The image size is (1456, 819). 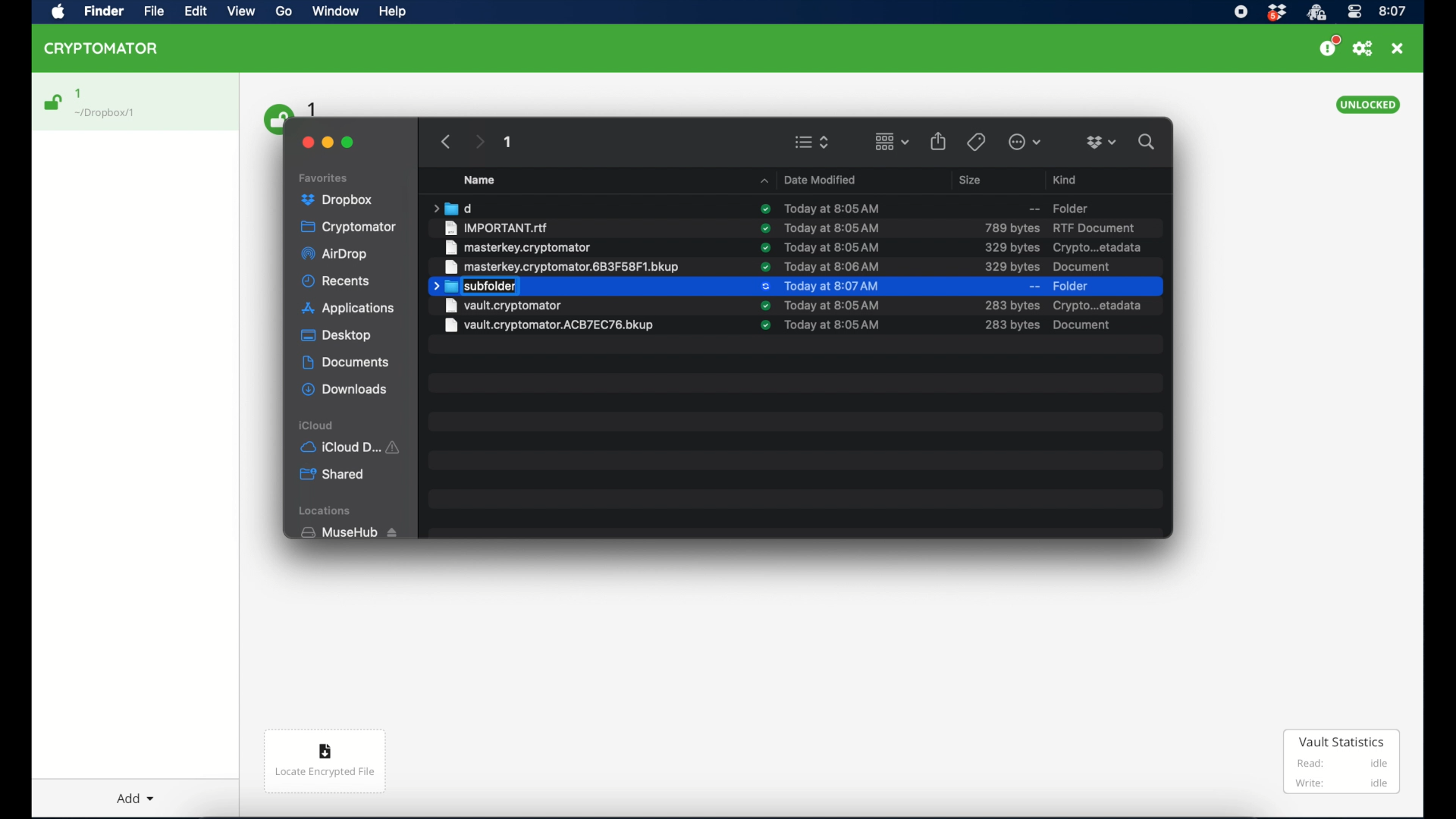 What do you see at coordinates (833, 247) in the screenshot?
I see `date` at bounding box center [833, 247].